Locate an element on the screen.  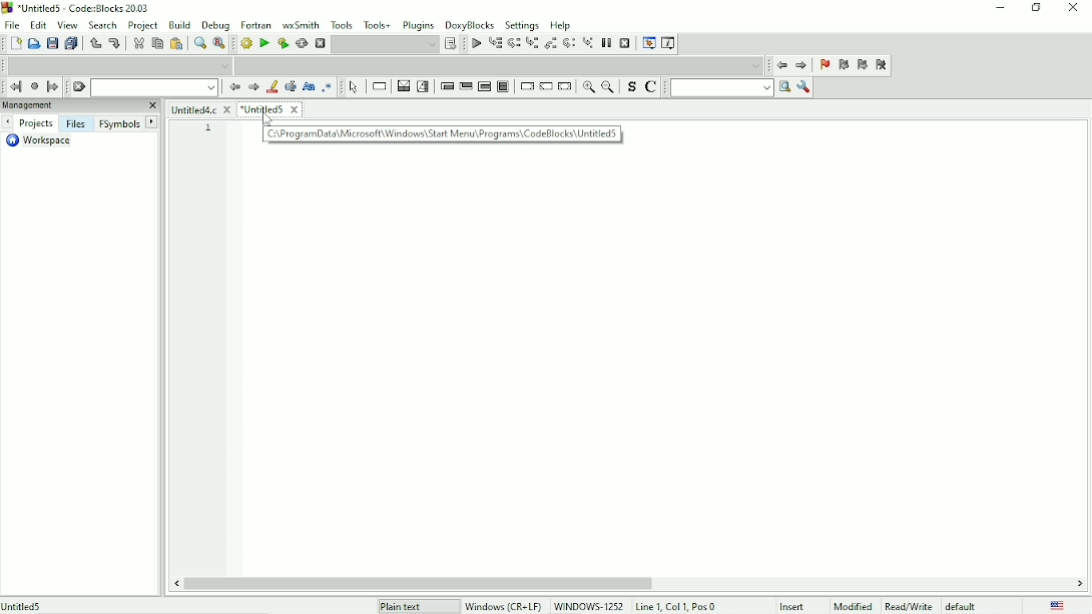
Projects is located at coordinates (36, 122).